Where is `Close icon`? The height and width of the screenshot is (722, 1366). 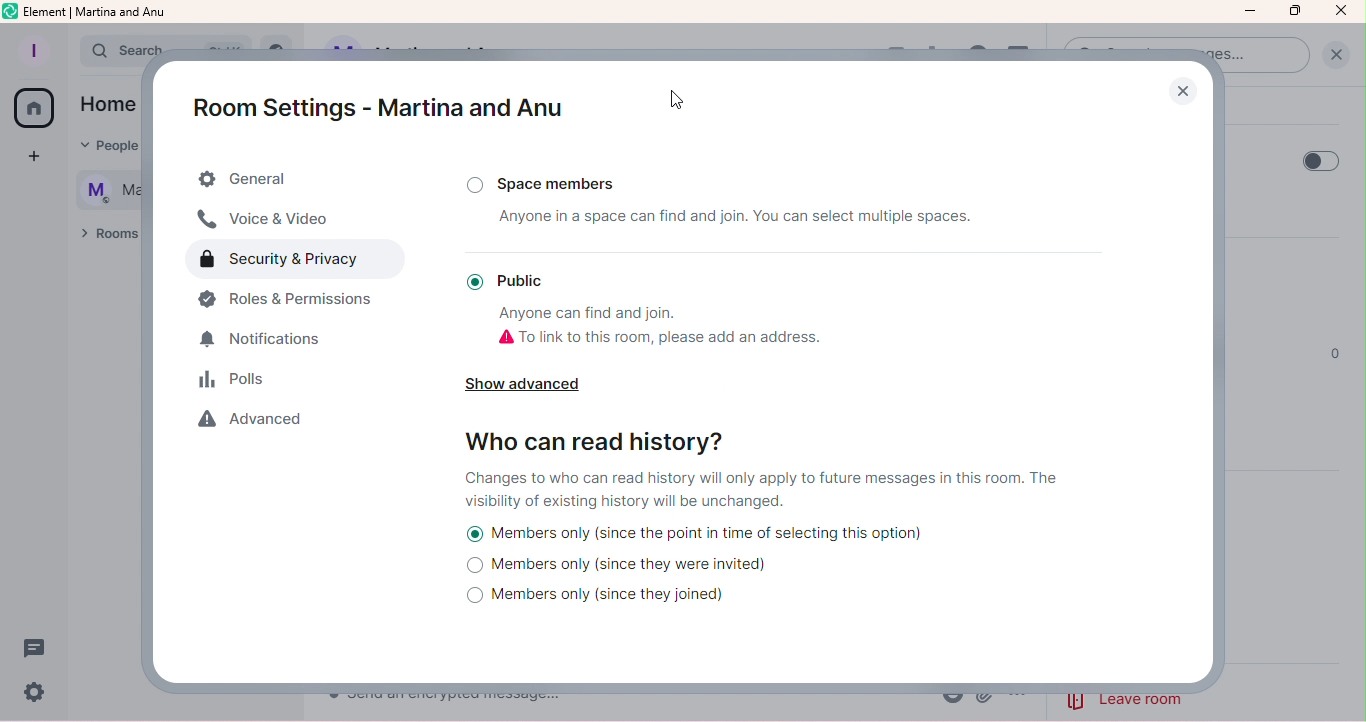 Close icon is located at coordinates (1341, 12).